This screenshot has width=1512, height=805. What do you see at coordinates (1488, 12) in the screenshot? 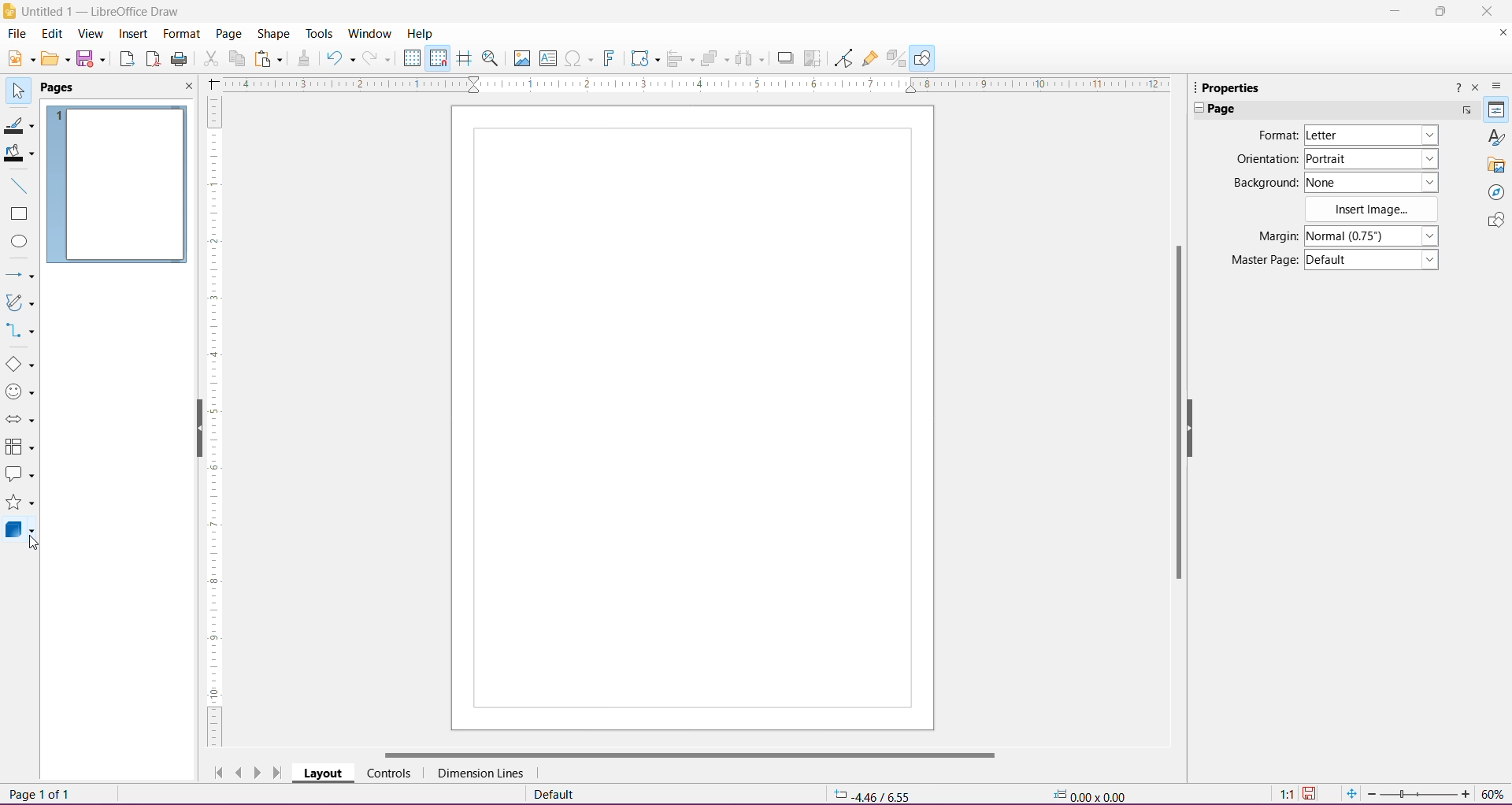
I see `Close` at bounding box center [1488, 12].